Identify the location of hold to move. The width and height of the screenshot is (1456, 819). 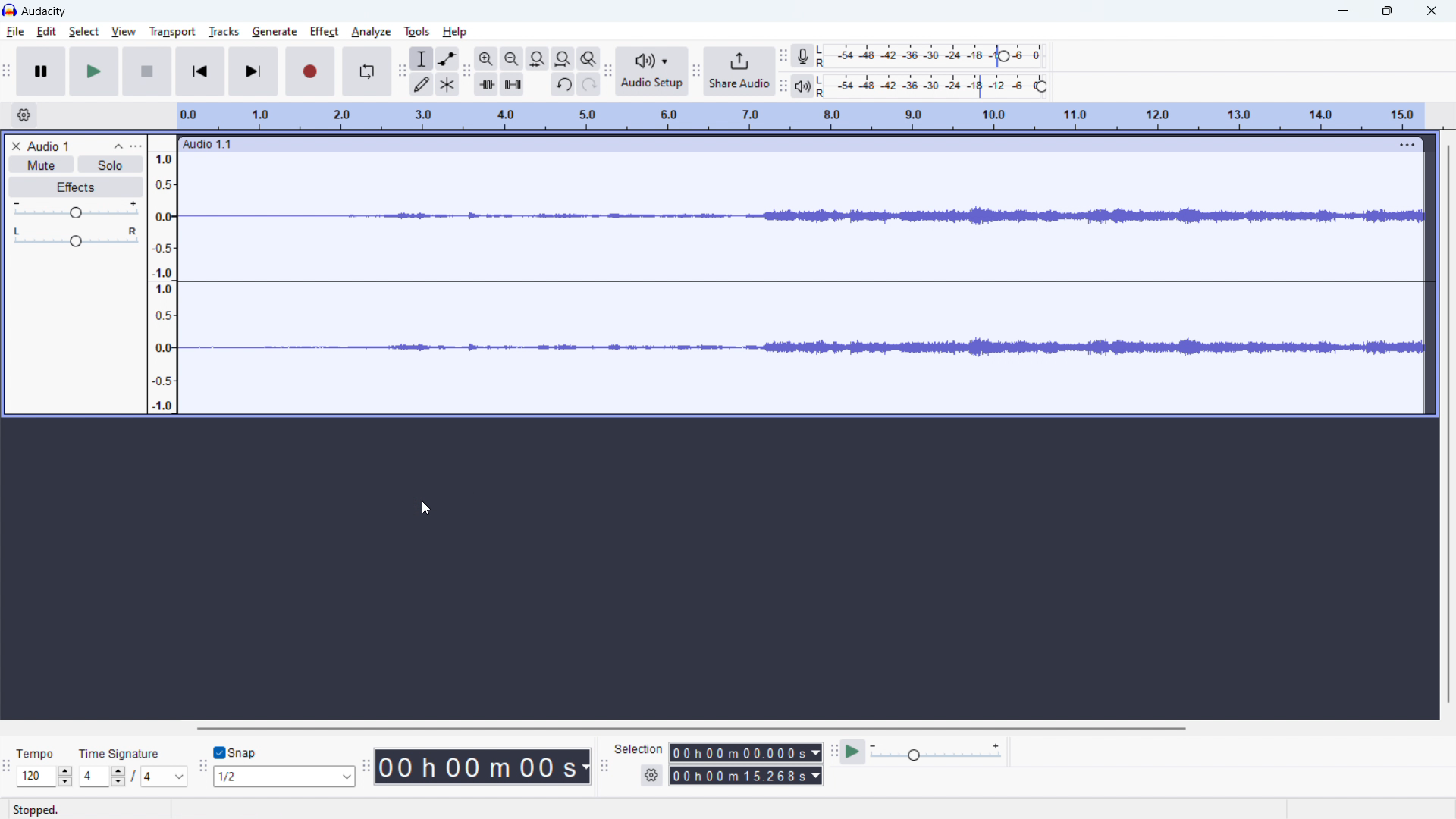
(782, 144).